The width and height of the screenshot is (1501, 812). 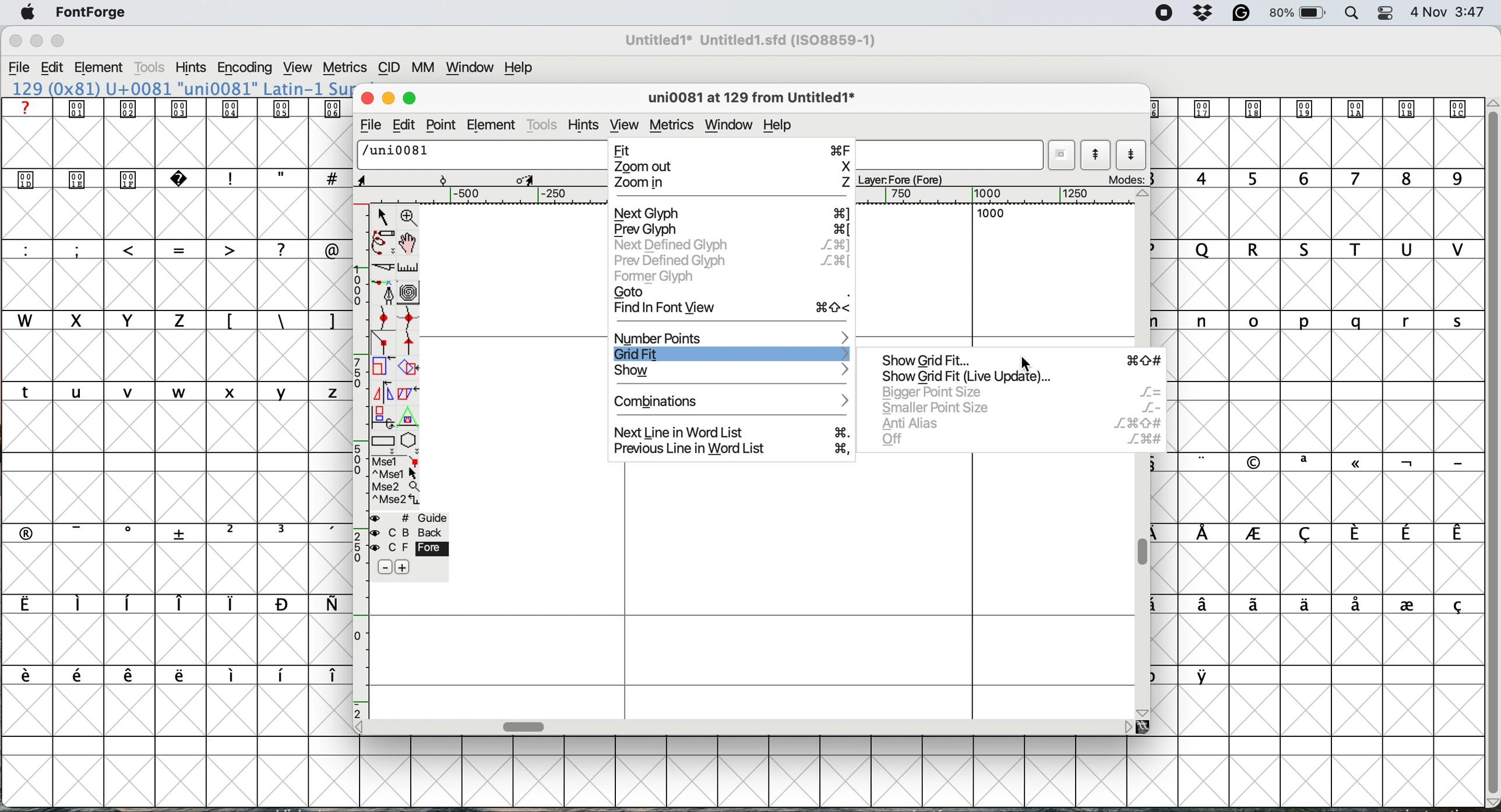 What do you see at coordinates (398, 482) in the screenshot?
I see `selections` at bounding box center [398, 482].